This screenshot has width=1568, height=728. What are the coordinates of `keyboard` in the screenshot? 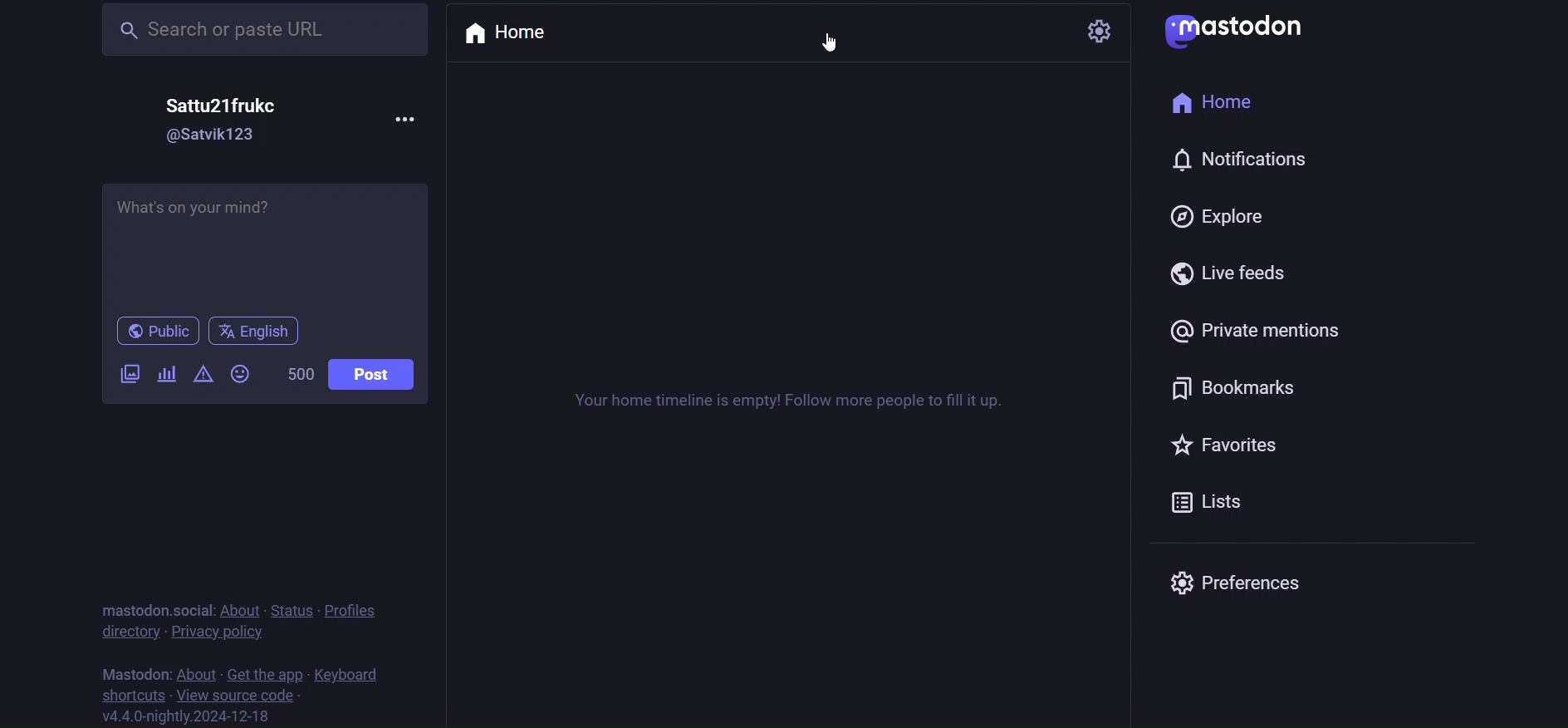 It's located at (349, 673).